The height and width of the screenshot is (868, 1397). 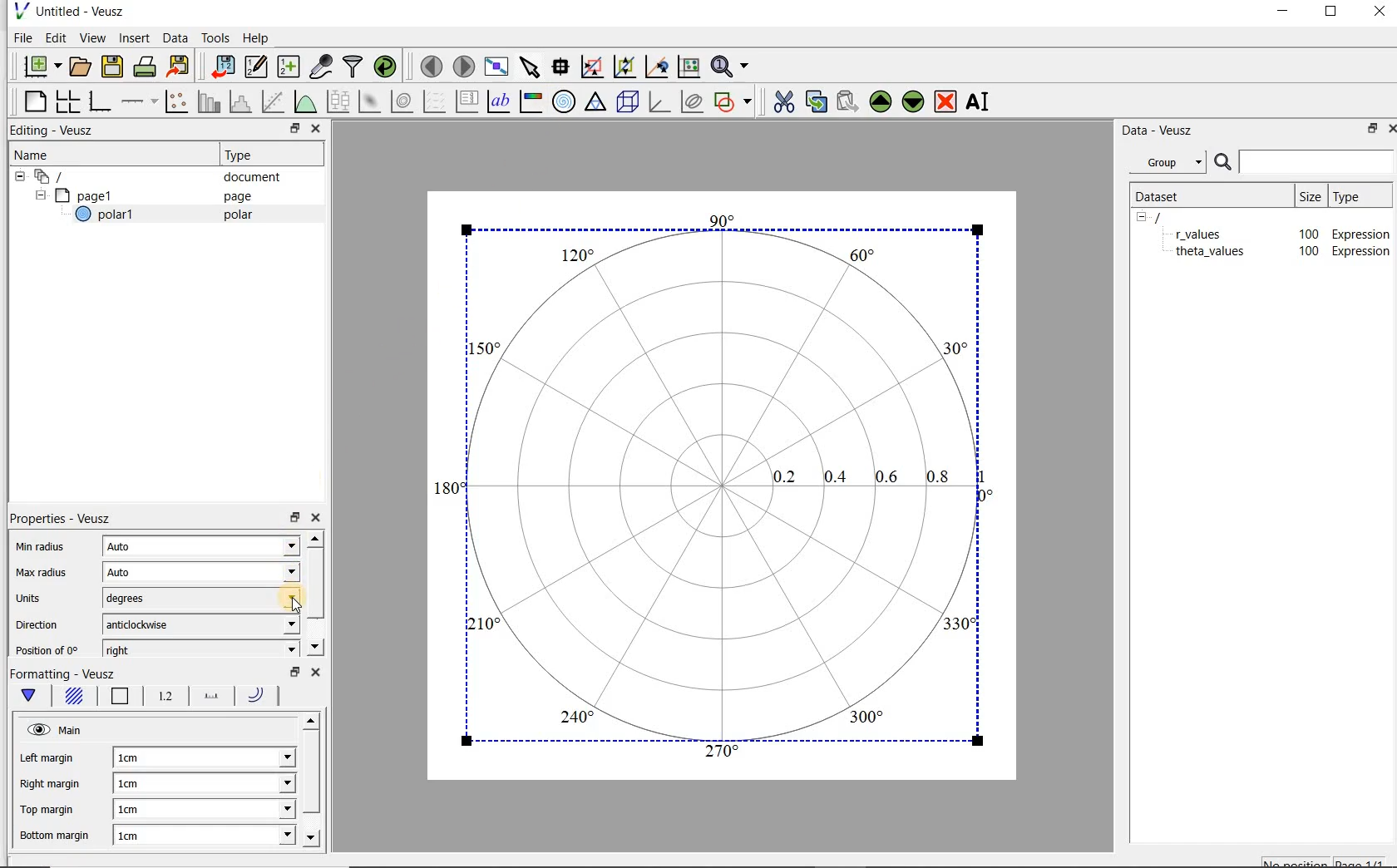 What do you see at coordinates (148, 66) in the screenshot?
I see `print the document` at bounding box center [148, 66].